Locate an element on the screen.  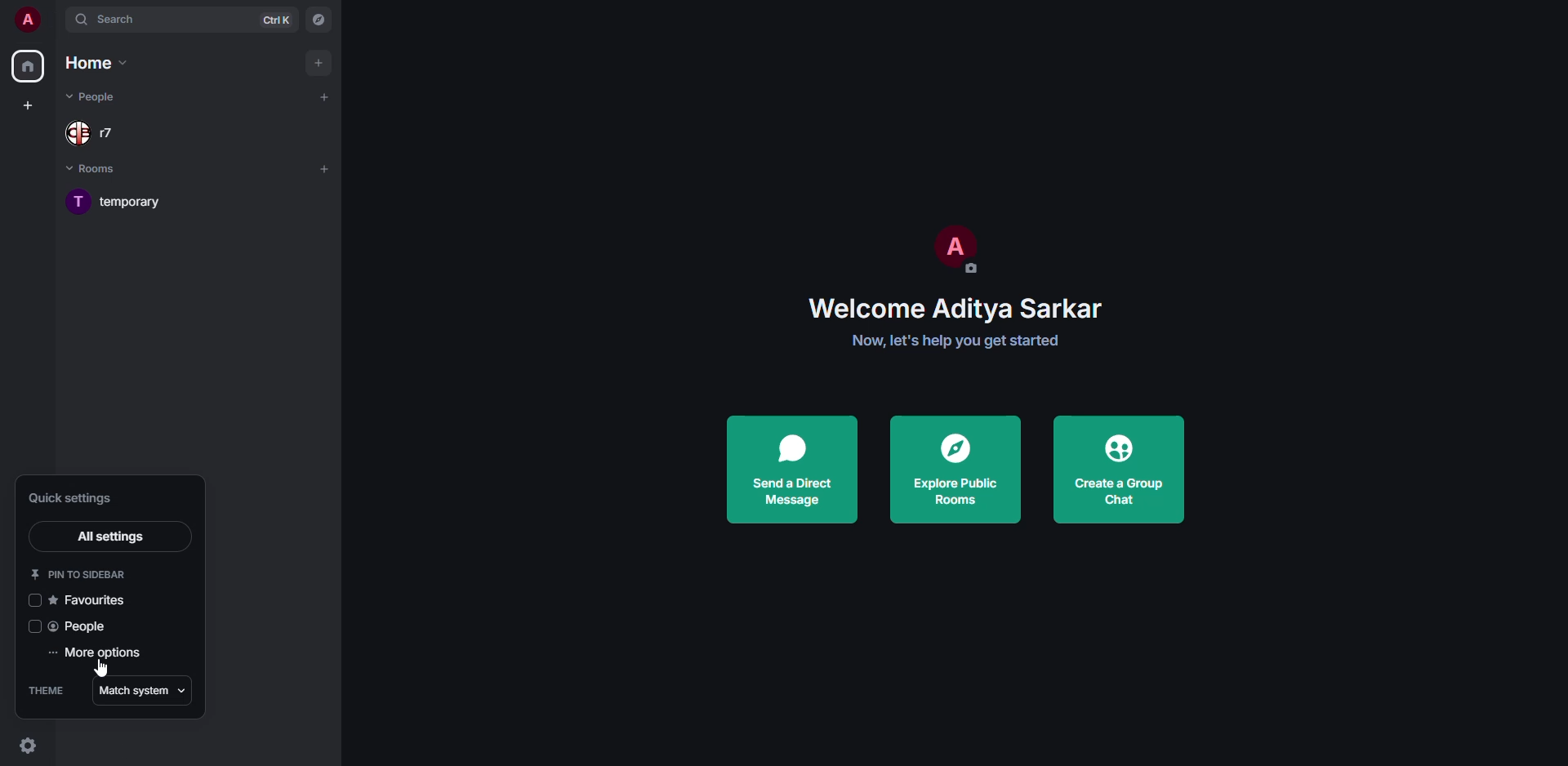
cursor is located at coordinates (103, 667).